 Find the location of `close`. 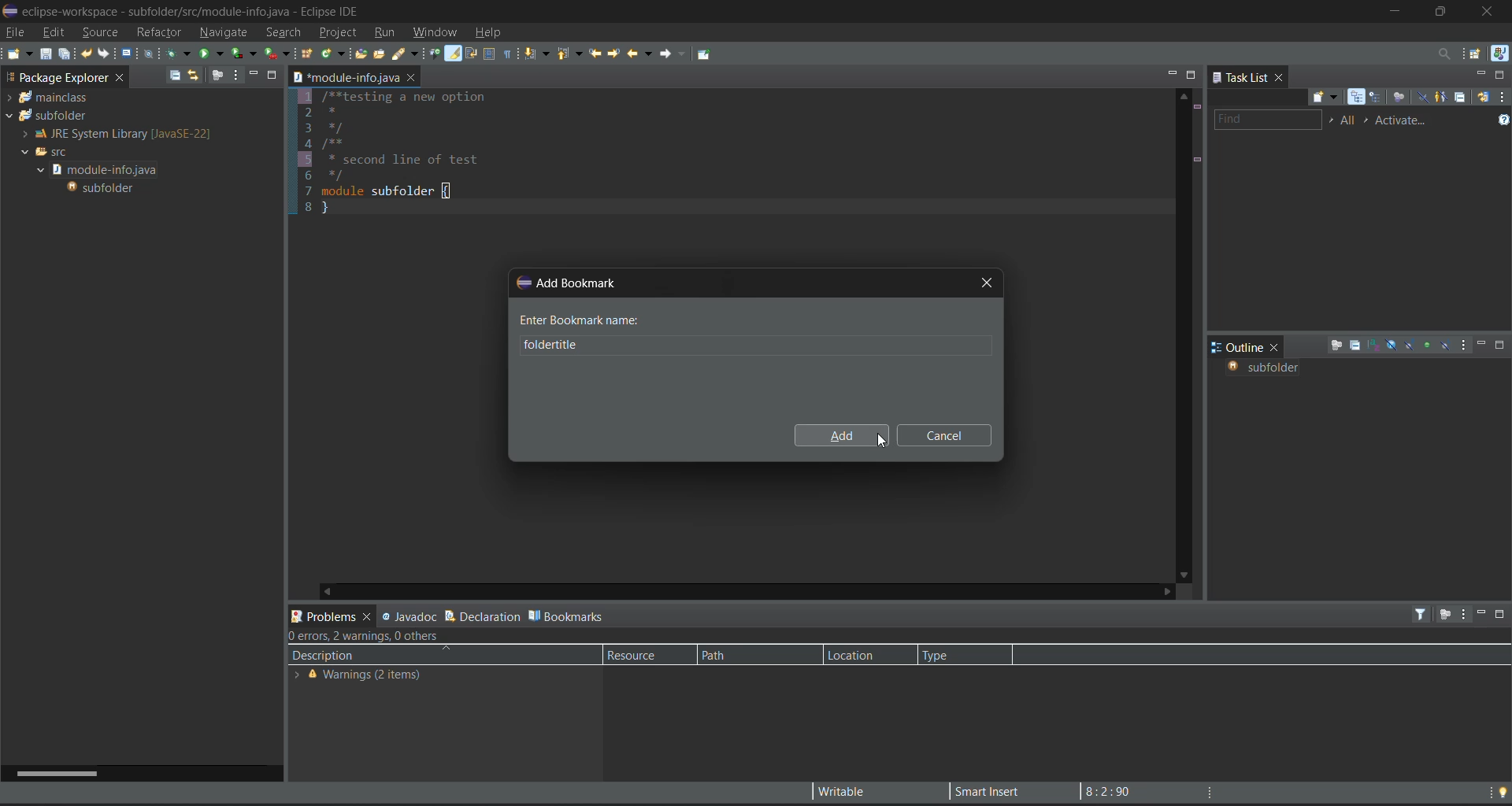

close is located at coordinates (411, 79).